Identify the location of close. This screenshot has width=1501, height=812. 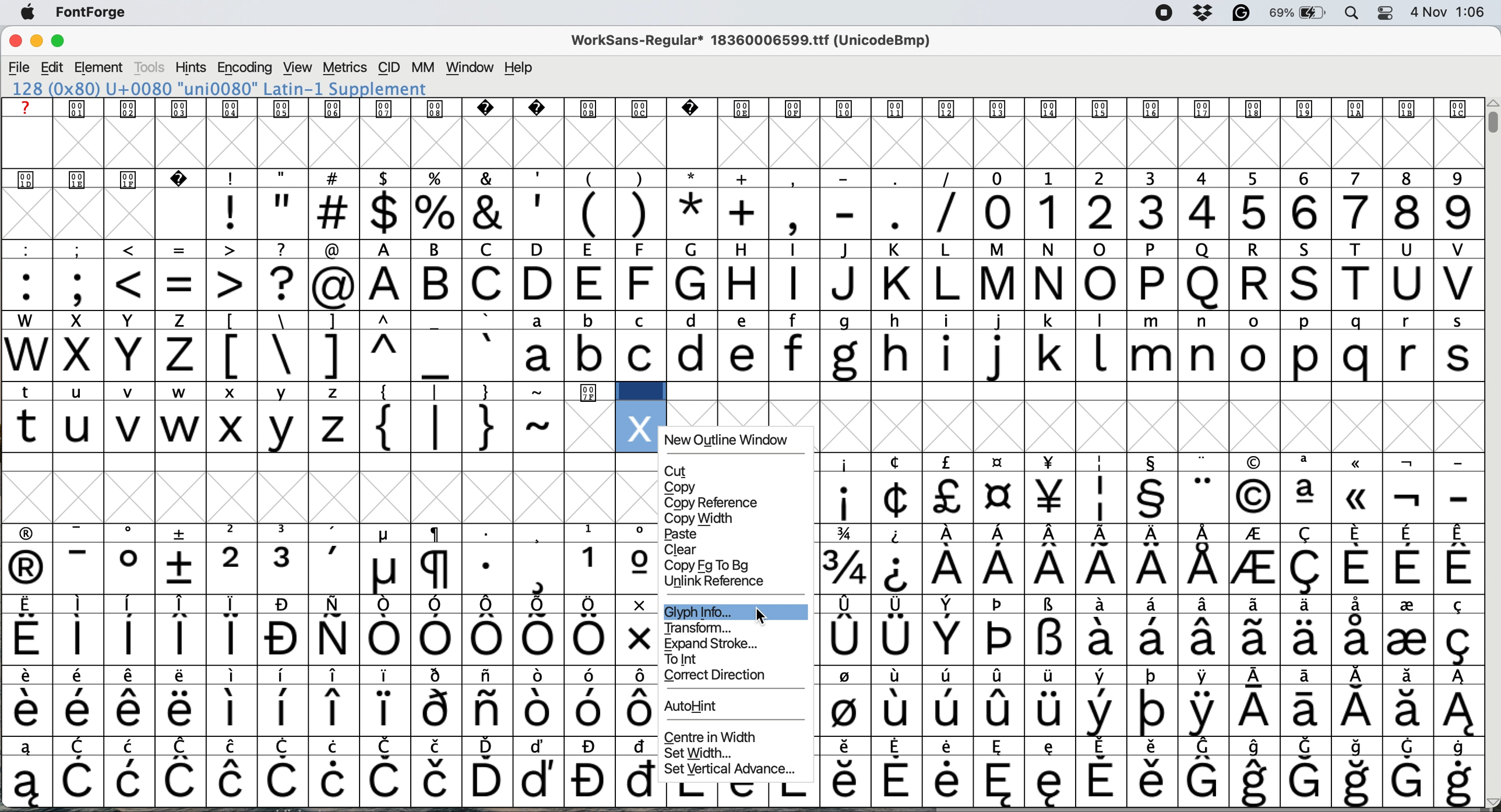
(15, 43).